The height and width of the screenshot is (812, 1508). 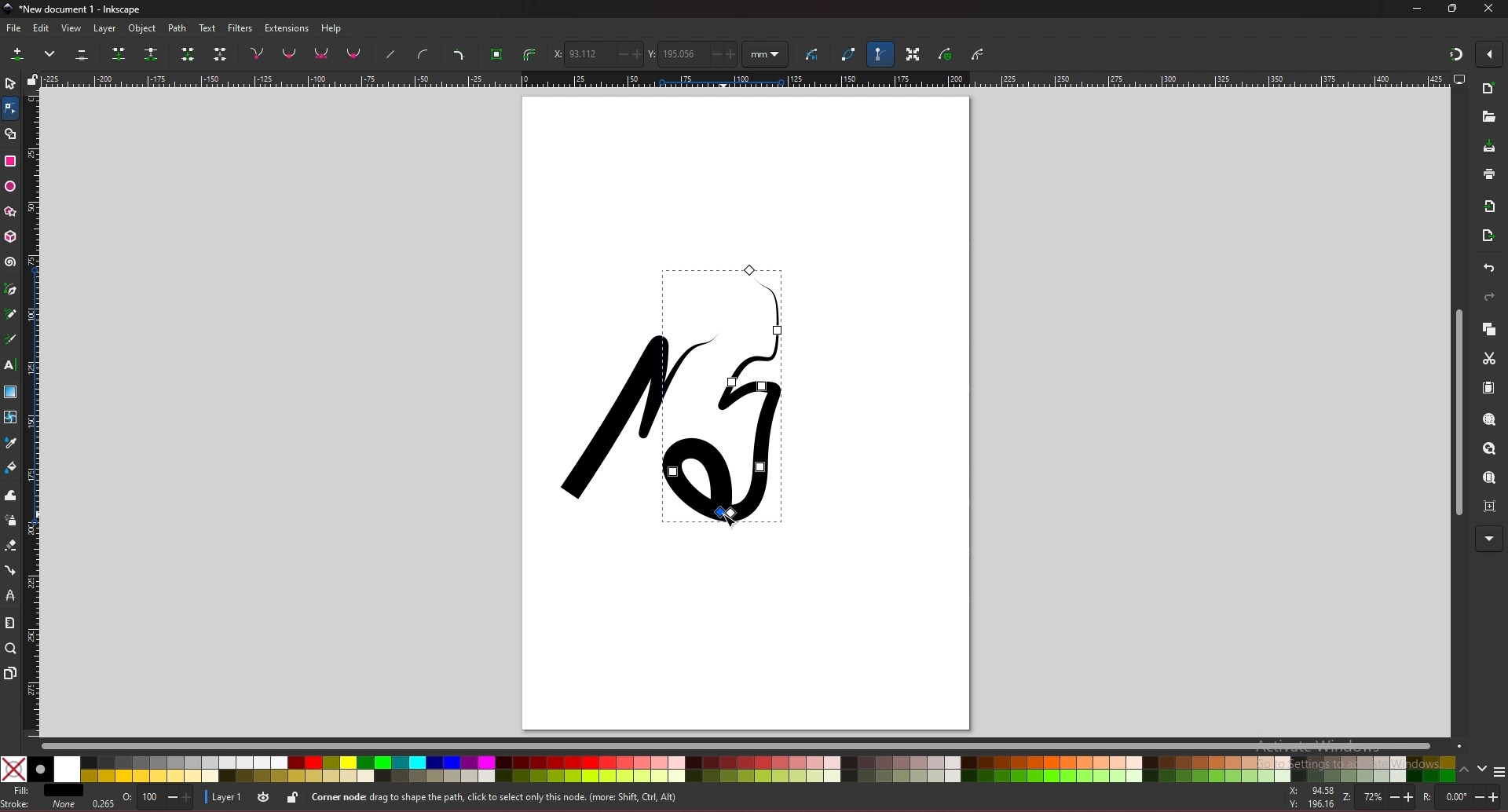 I want to click on connector, so click(x=11, y=570).